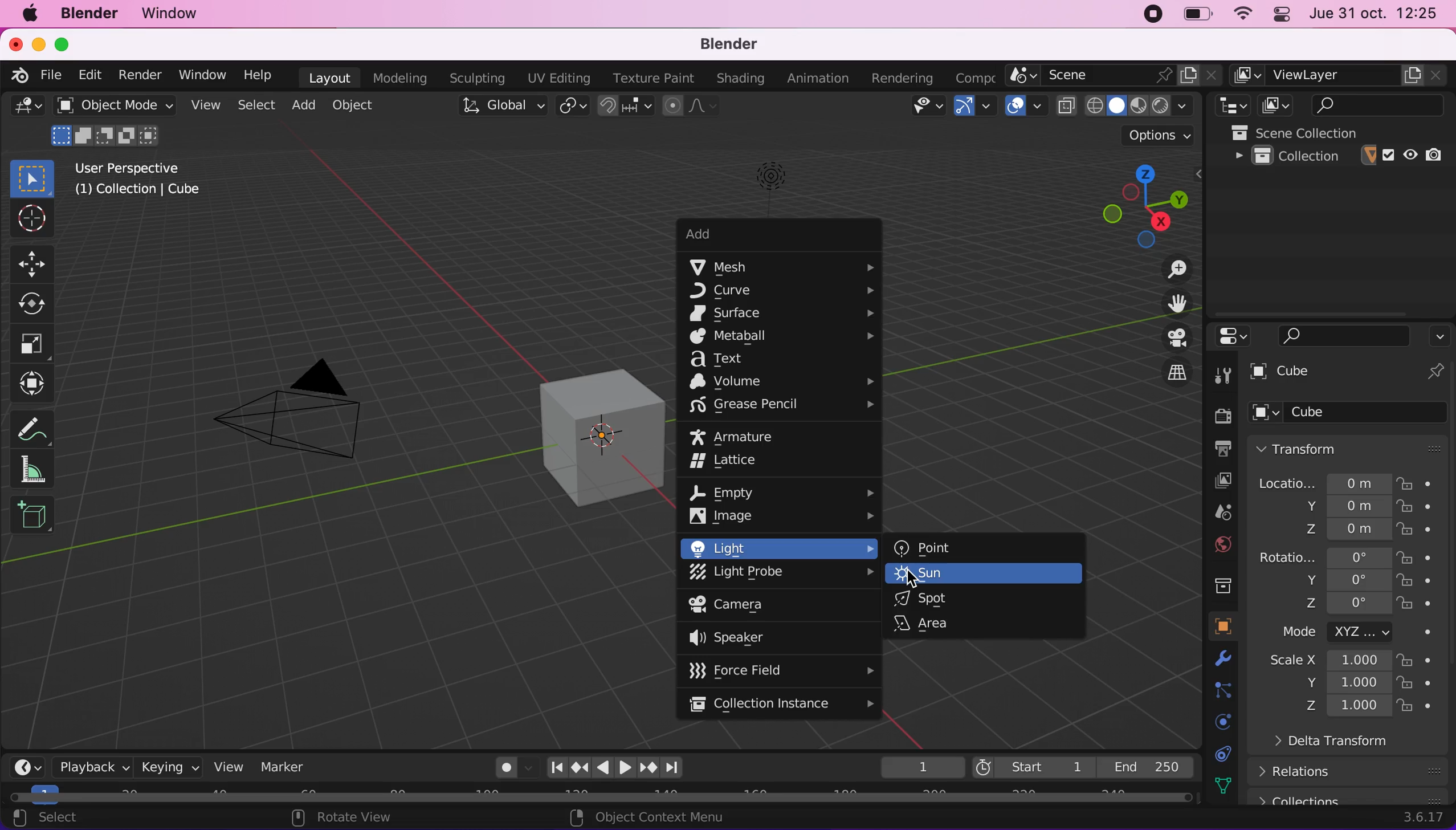  I want to click on uv editing, so click(556, 78).